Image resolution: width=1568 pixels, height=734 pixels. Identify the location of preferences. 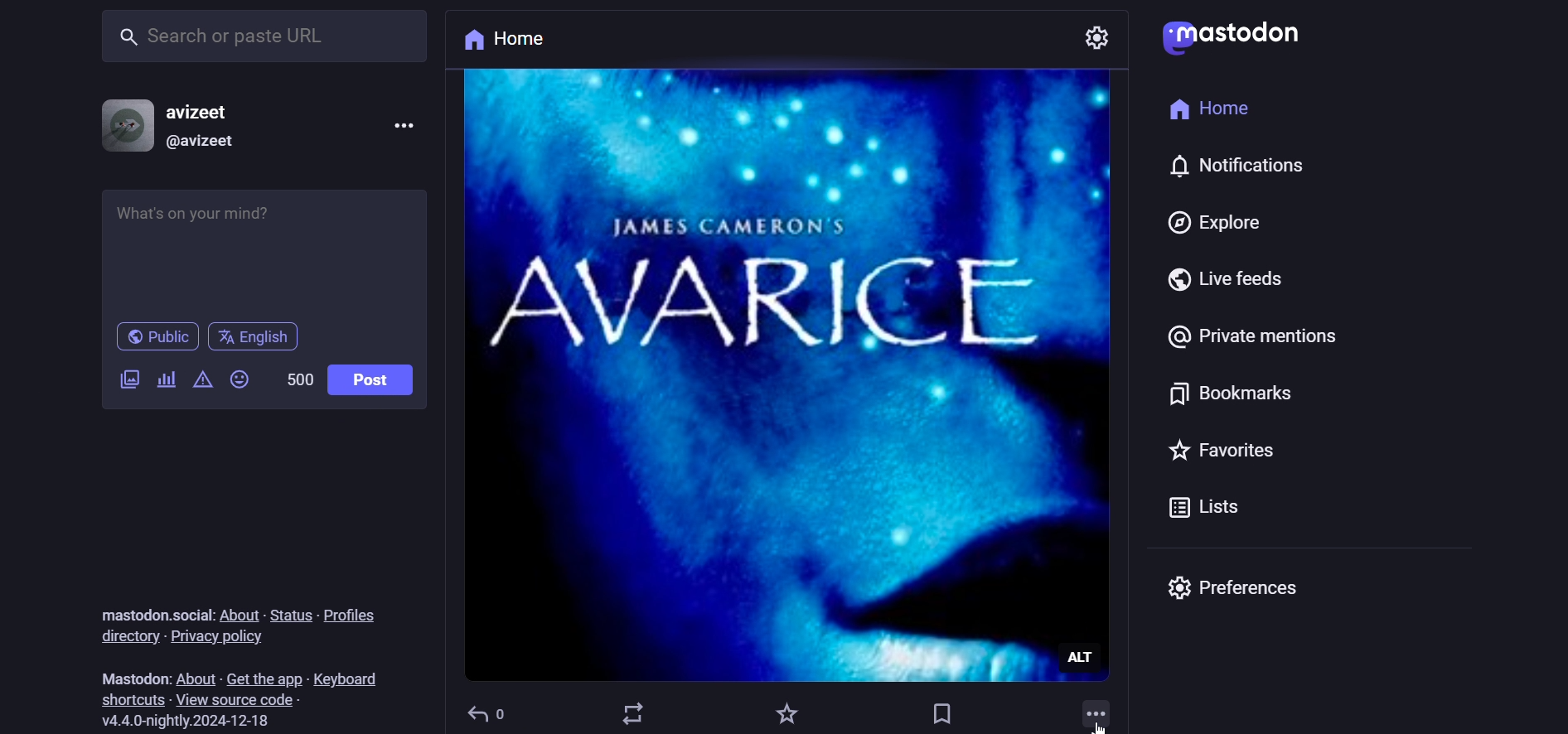
(1236, 587).